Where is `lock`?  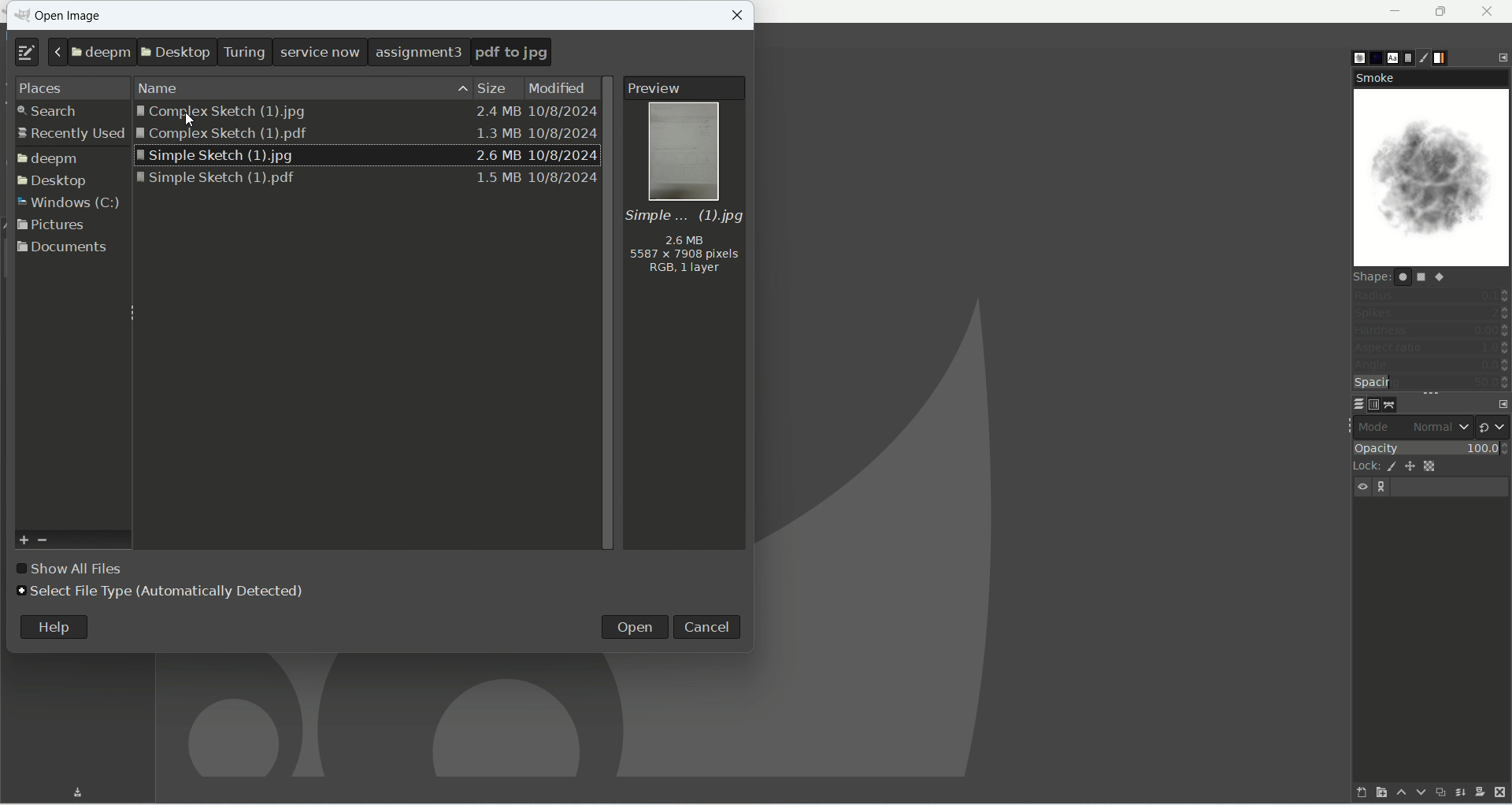 lock is located at coordinates (1362, 467).